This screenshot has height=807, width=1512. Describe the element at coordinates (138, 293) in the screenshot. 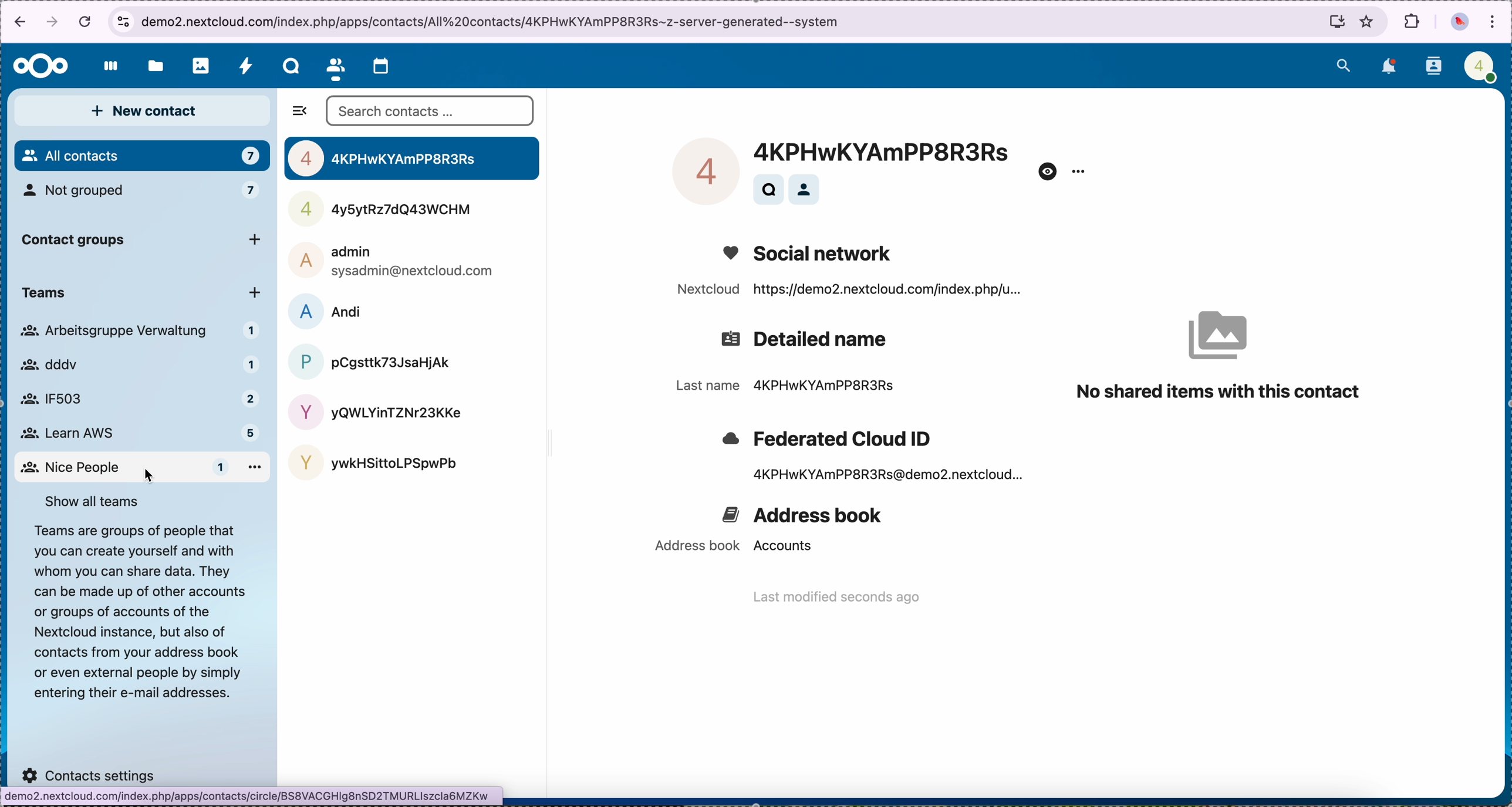

I see `teams` at that location.